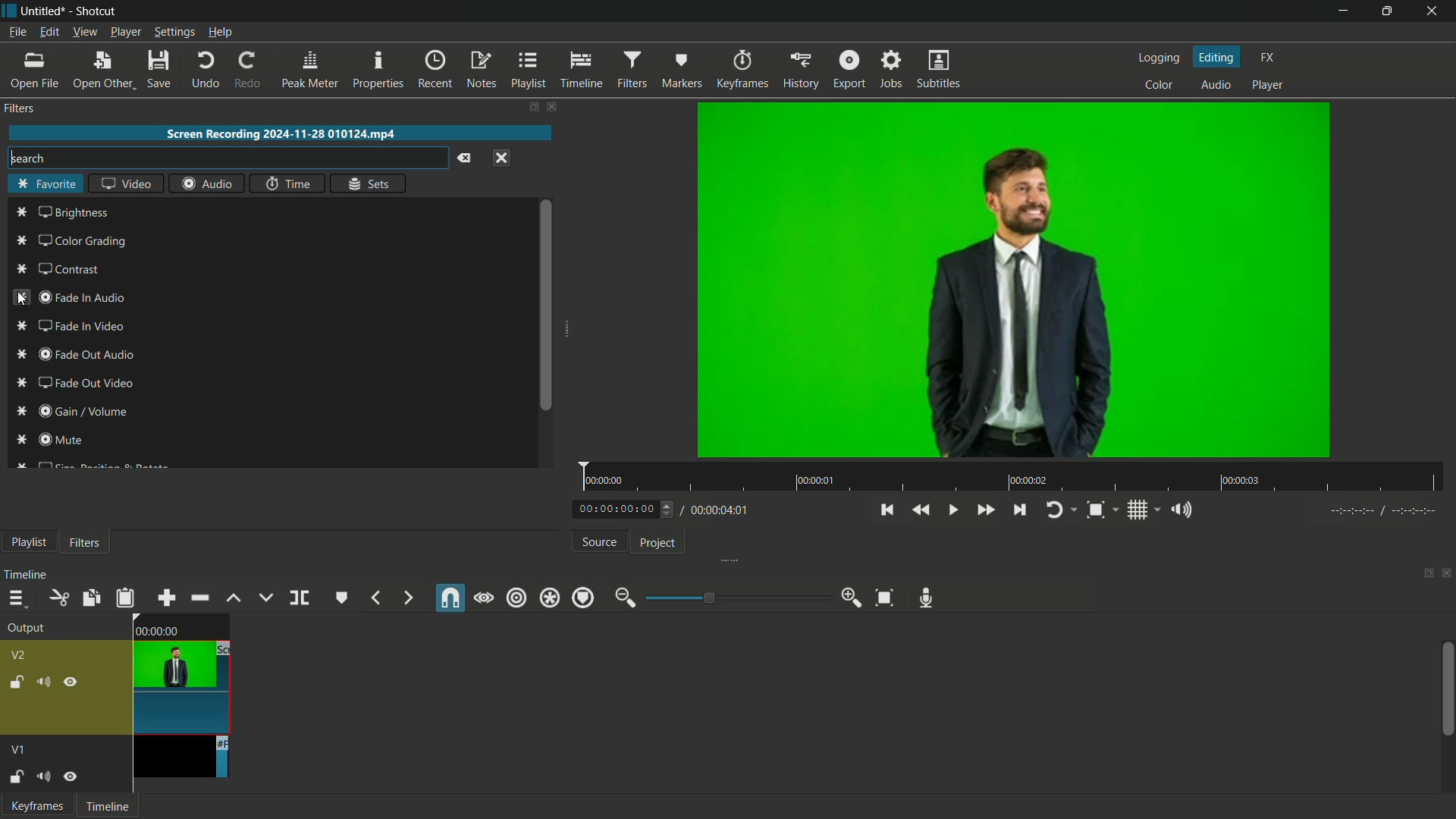 The height and width of the screenshot is (819, 1456). I want to click on video-2 on timeline, so click(180, 673).